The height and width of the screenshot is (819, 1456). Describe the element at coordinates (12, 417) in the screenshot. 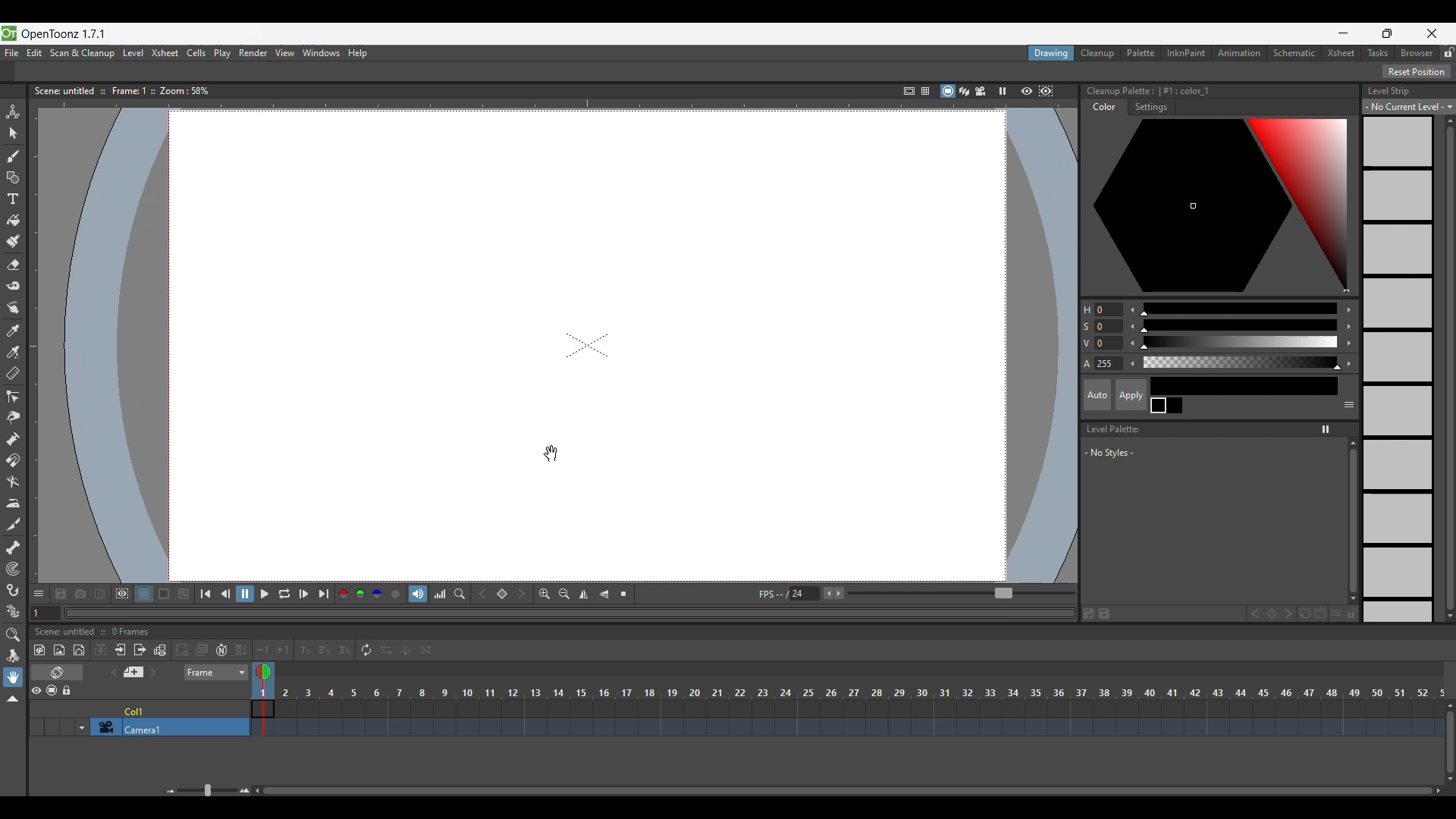

I see `Pinch tool` at that location.